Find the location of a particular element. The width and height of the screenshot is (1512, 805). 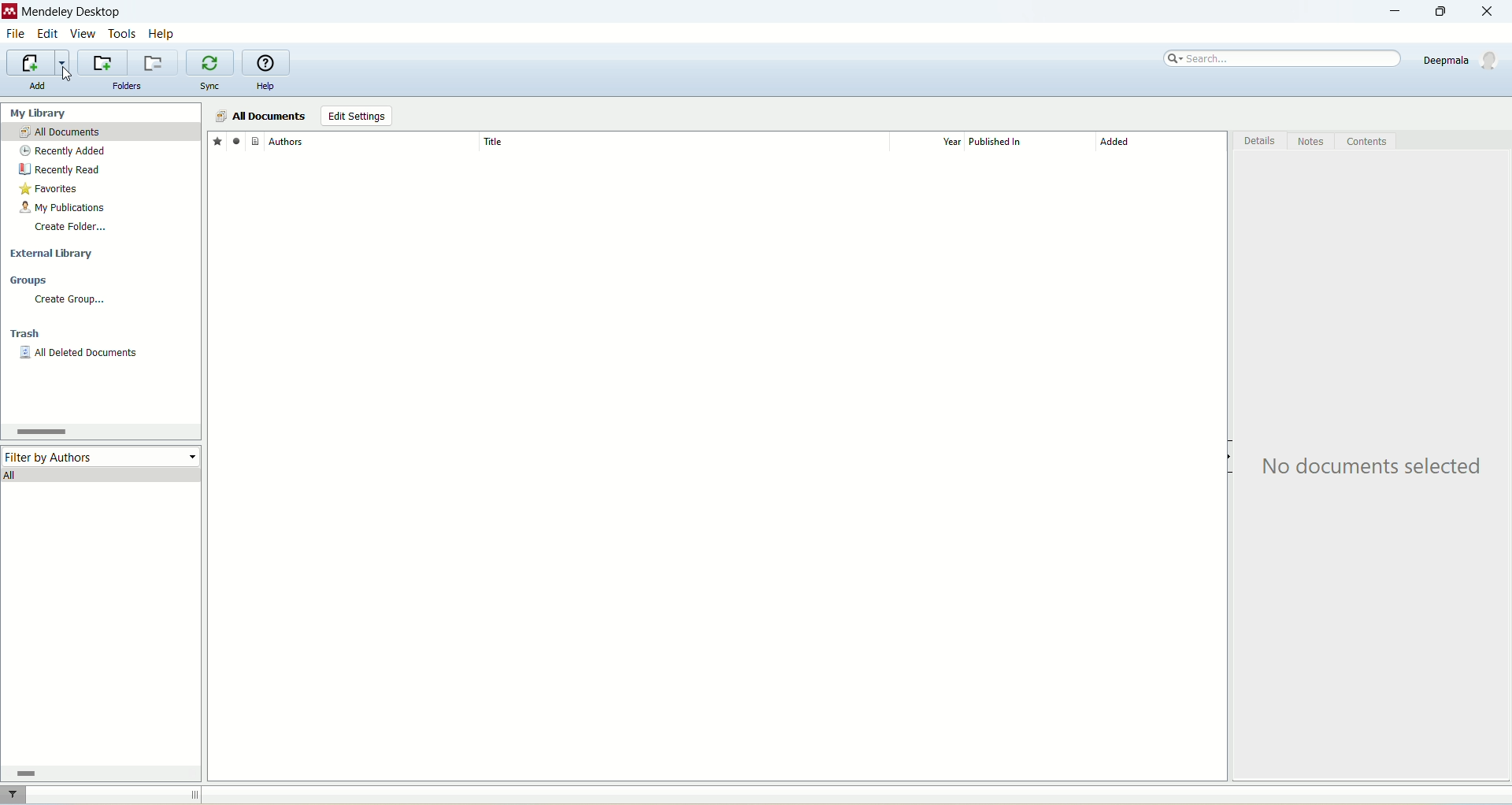

notes is located at coordinates (1313, 142).